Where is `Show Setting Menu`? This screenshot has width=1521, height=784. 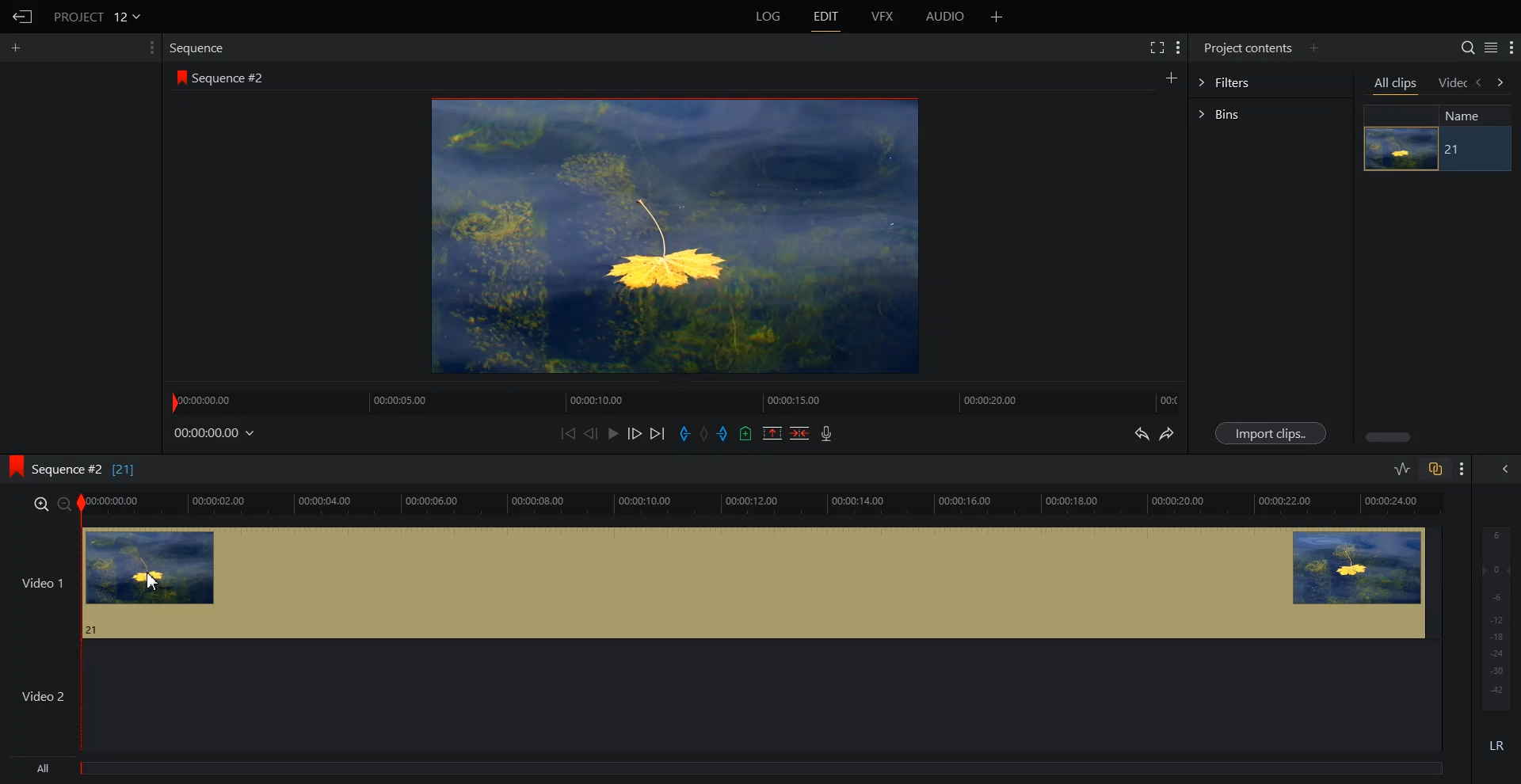
Show Setting Menu is located at coordinates (150, 48).